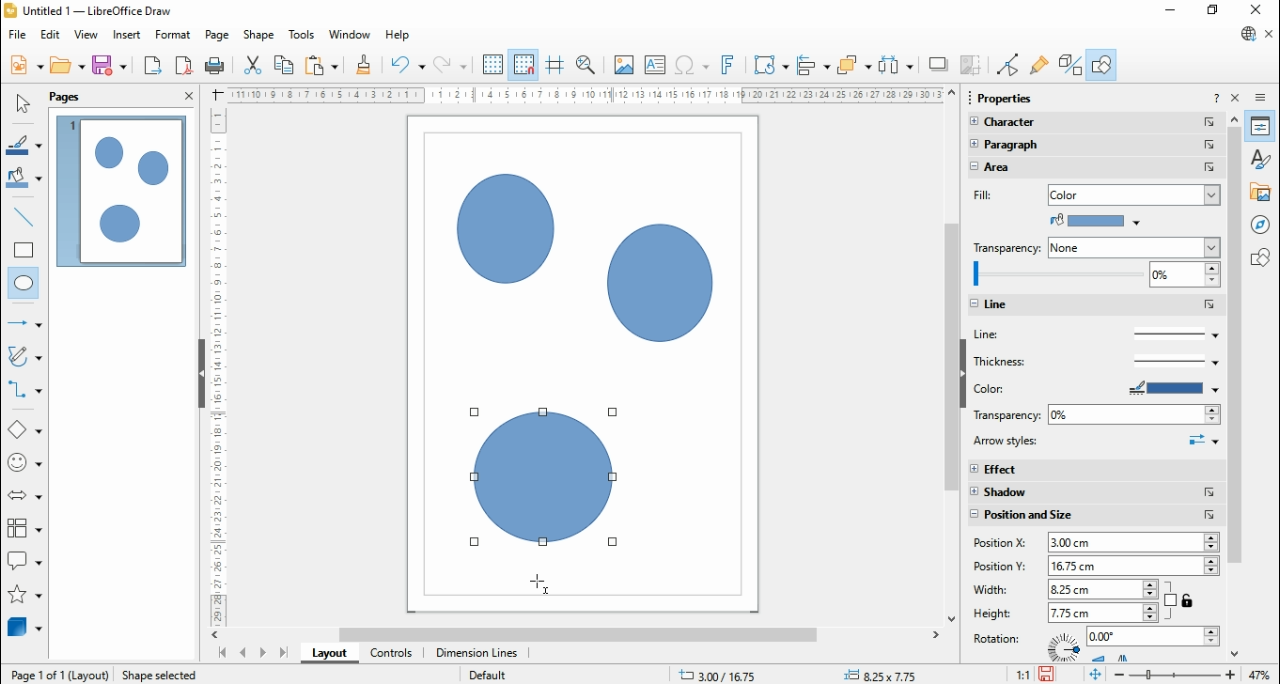 This screenshot has width=1280, height=684. I want to click on layout, so click(328, 653).